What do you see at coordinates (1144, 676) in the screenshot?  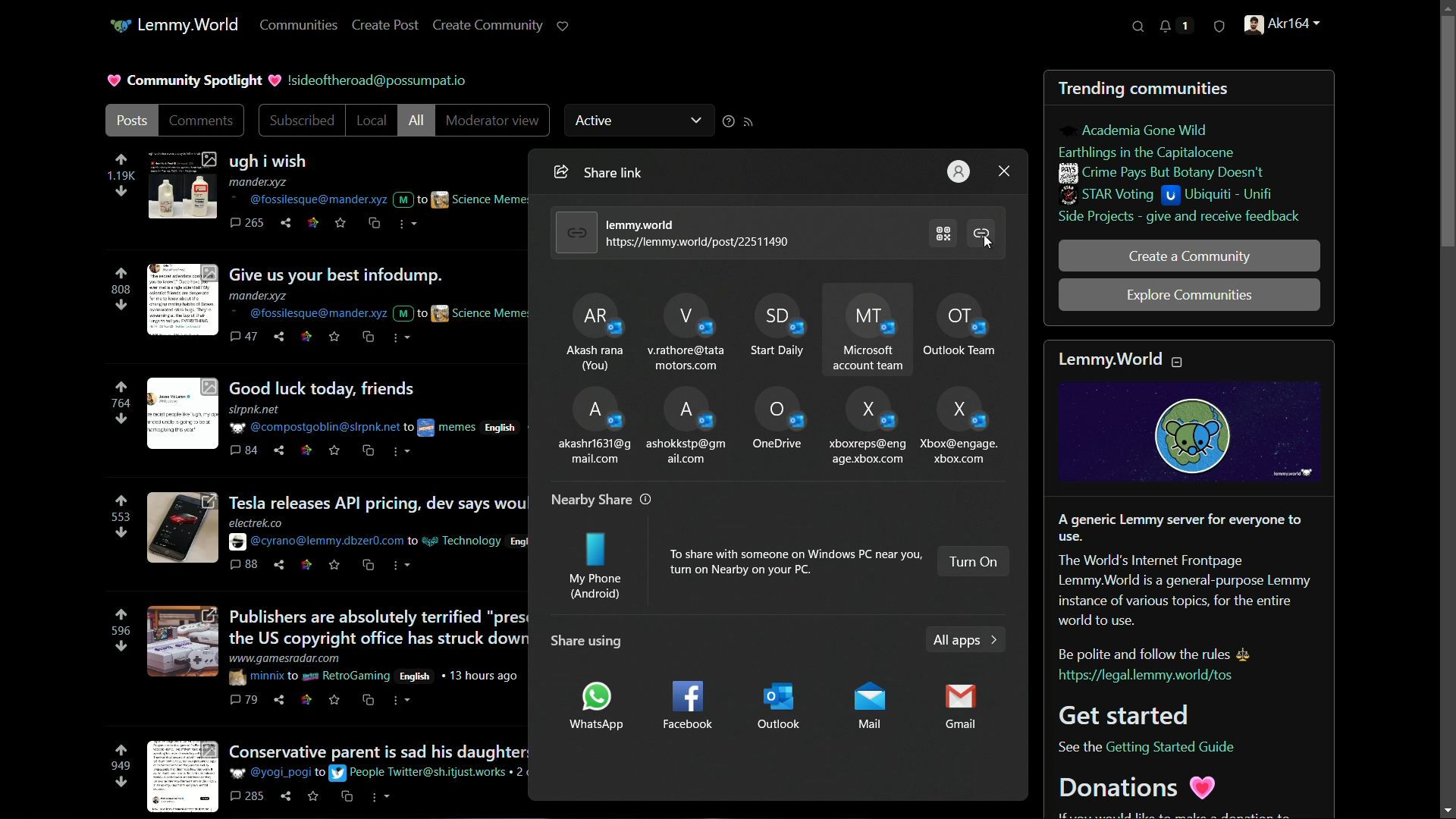 I see `https://legal.lemmy.world/tos` at bounding box center [1144, 676].